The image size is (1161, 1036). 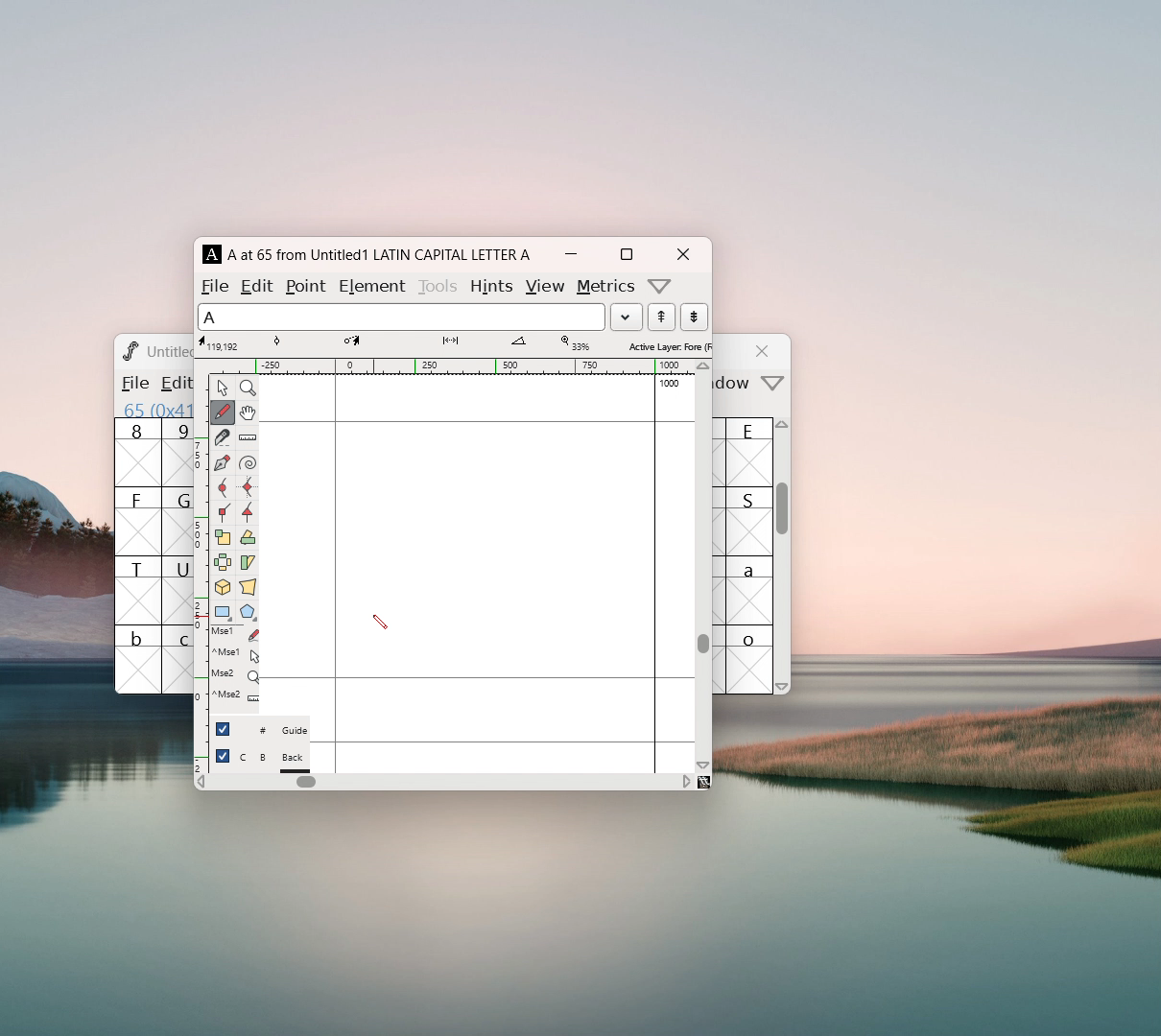 What do you see at coordinates (247, 512) in the screenshot?
I see `add a tangent point` at bounding box center [247, 512].